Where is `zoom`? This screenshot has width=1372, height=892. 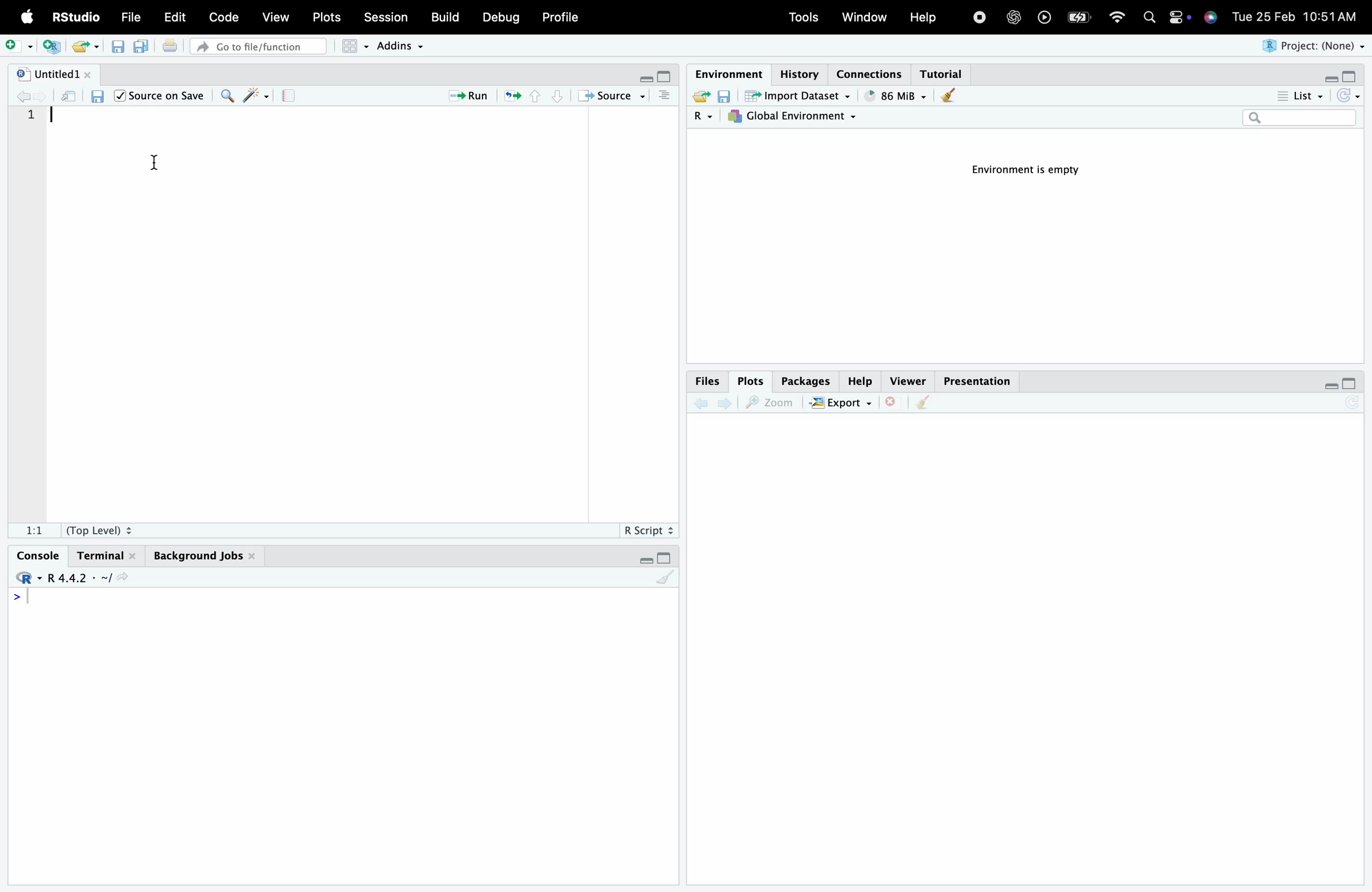
zoom is located at coordinates (771, 403).